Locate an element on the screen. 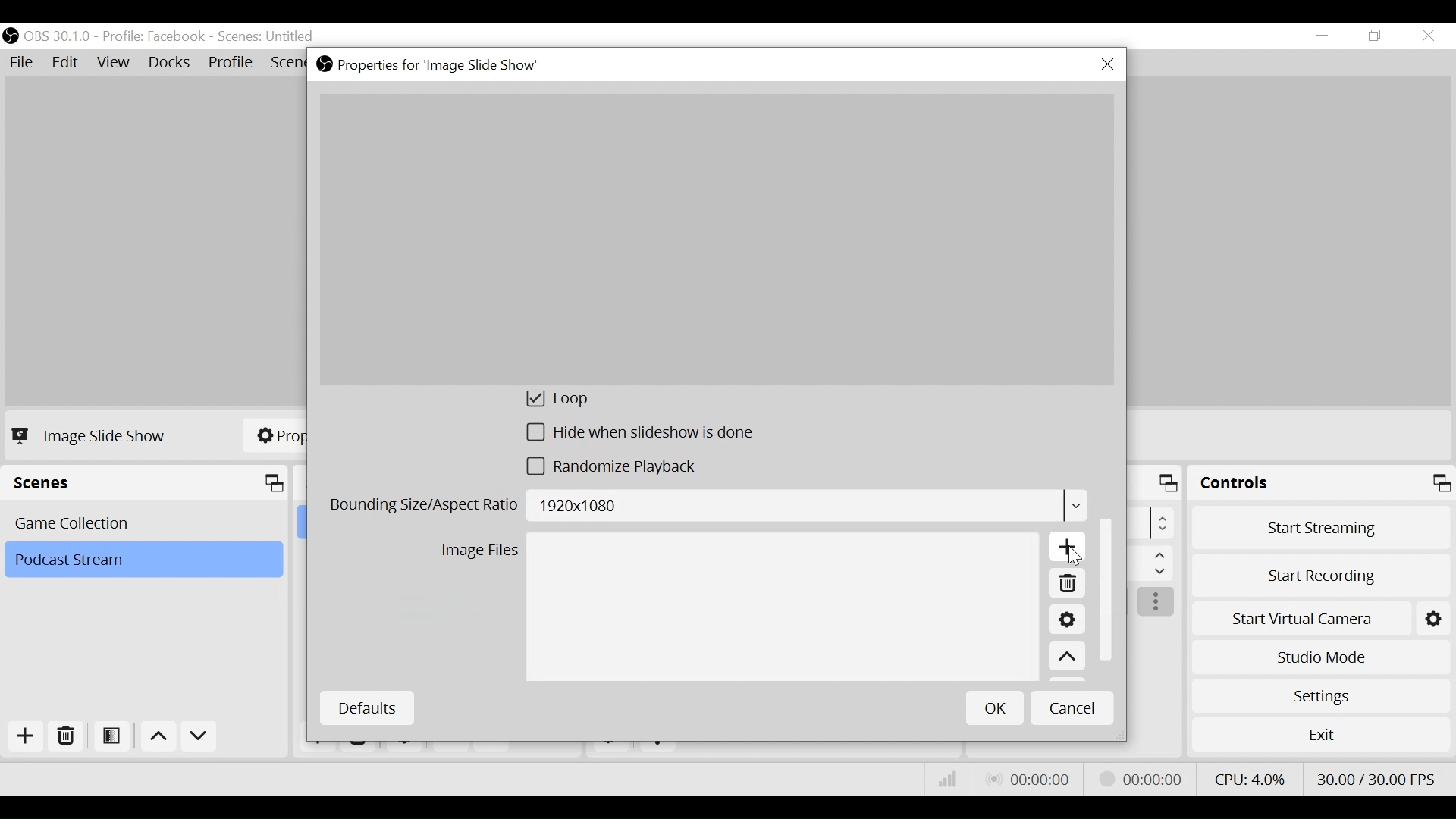 This screenshot has width=1456, height=819. Scene is located at coordinates (268, 37).